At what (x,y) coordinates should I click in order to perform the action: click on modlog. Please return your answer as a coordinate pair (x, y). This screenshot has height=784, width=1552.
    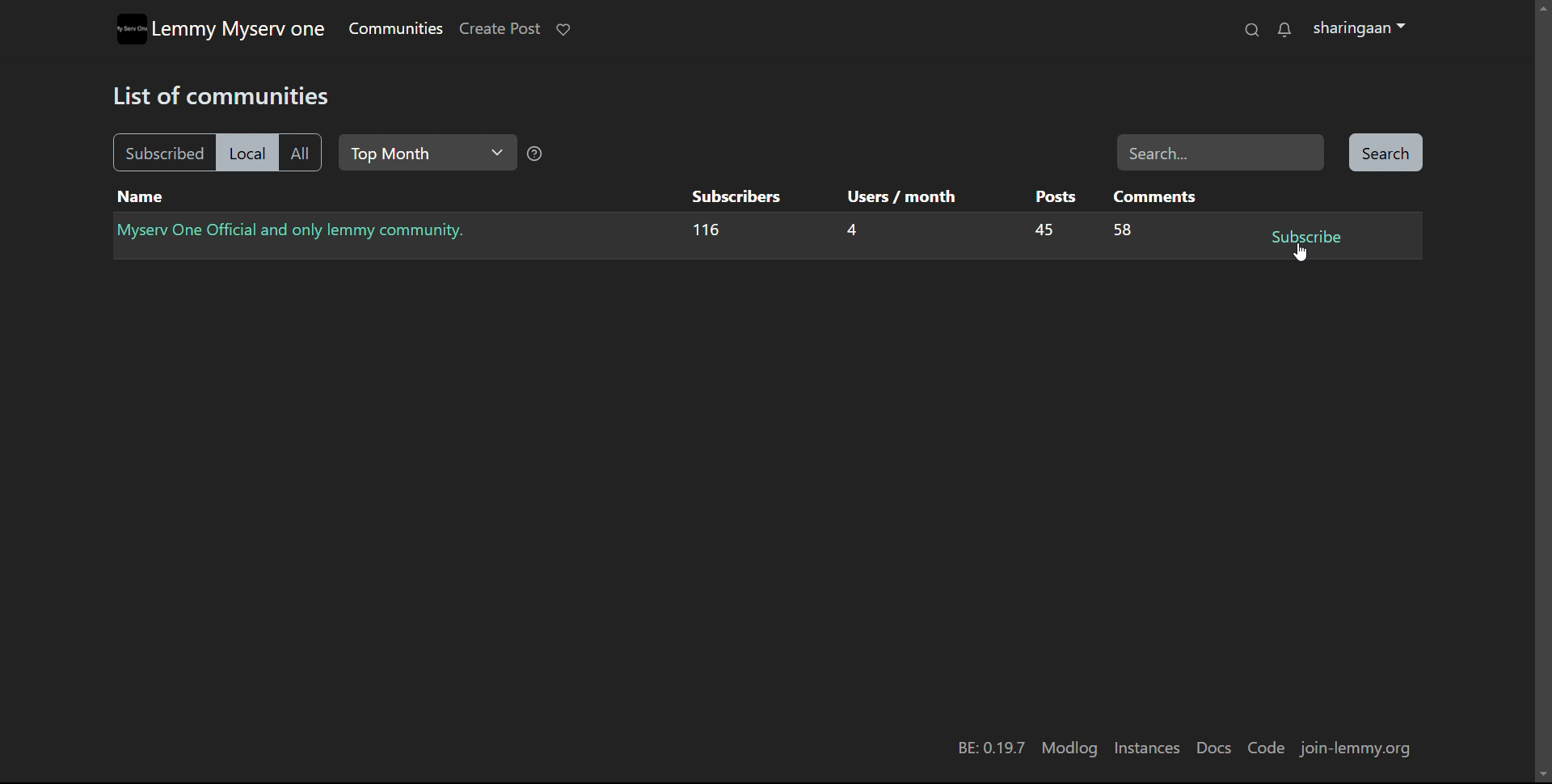
    Looking at the image, I should click on (1069, 748).